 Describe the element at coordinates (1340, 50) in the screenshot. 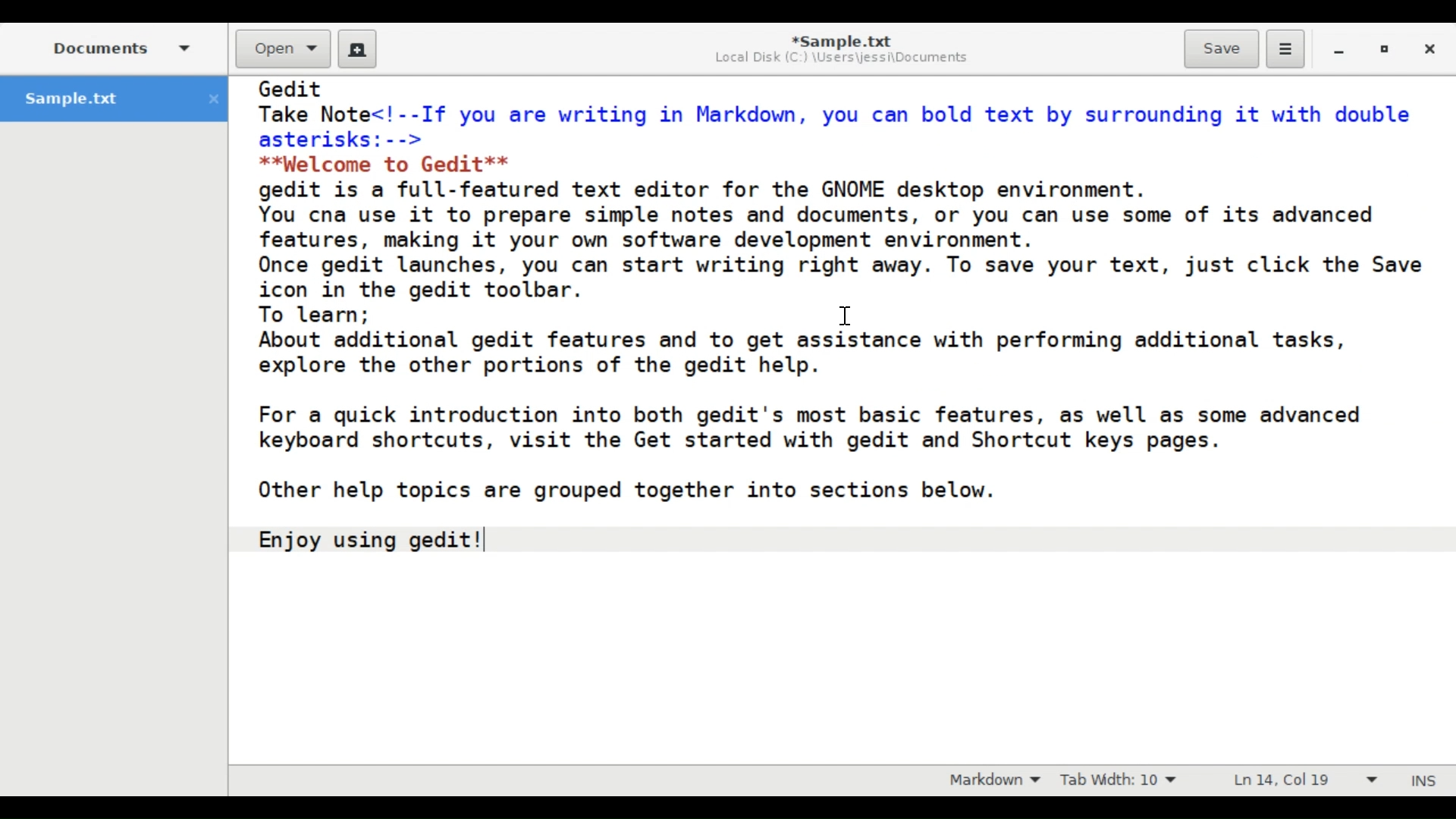

I see `minimize` at that location.